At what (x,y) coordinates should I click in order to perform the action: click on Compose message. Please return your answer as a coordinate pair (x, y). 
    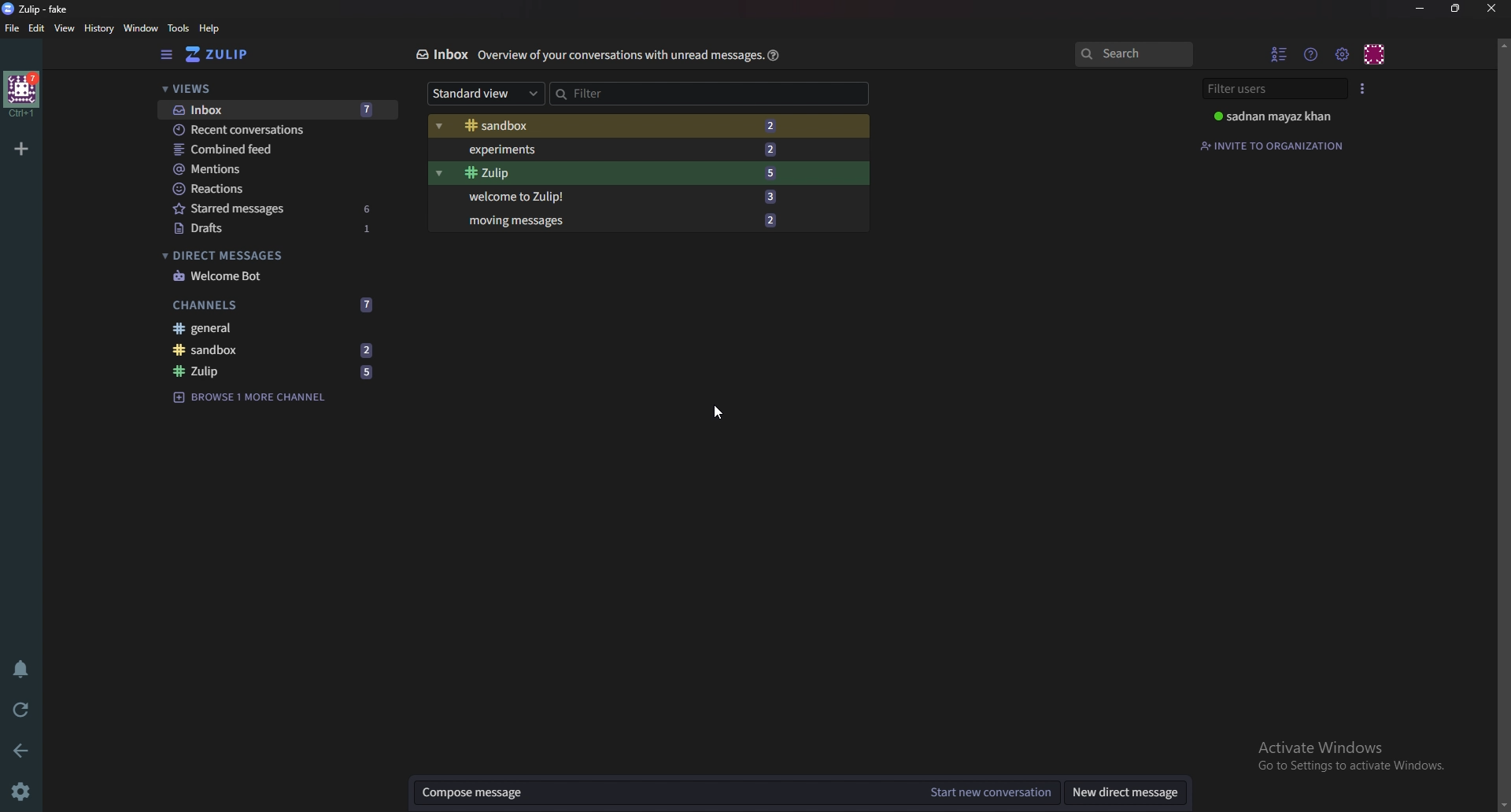
    Looking at the image, I should click on (664, 793).